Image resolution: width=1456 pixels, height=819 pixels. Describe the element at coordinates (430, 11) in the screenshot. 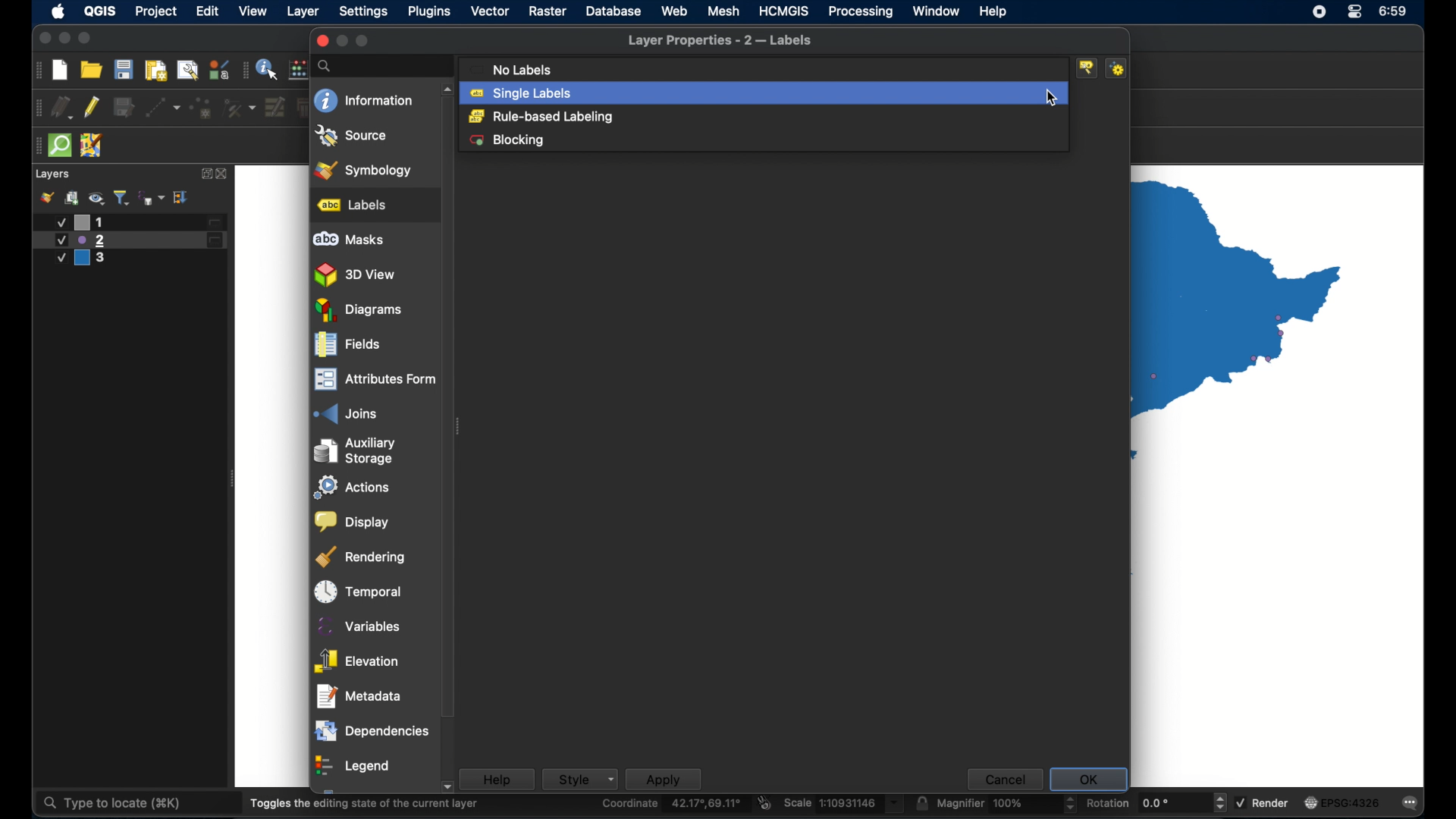

I see `plugins` at that location.